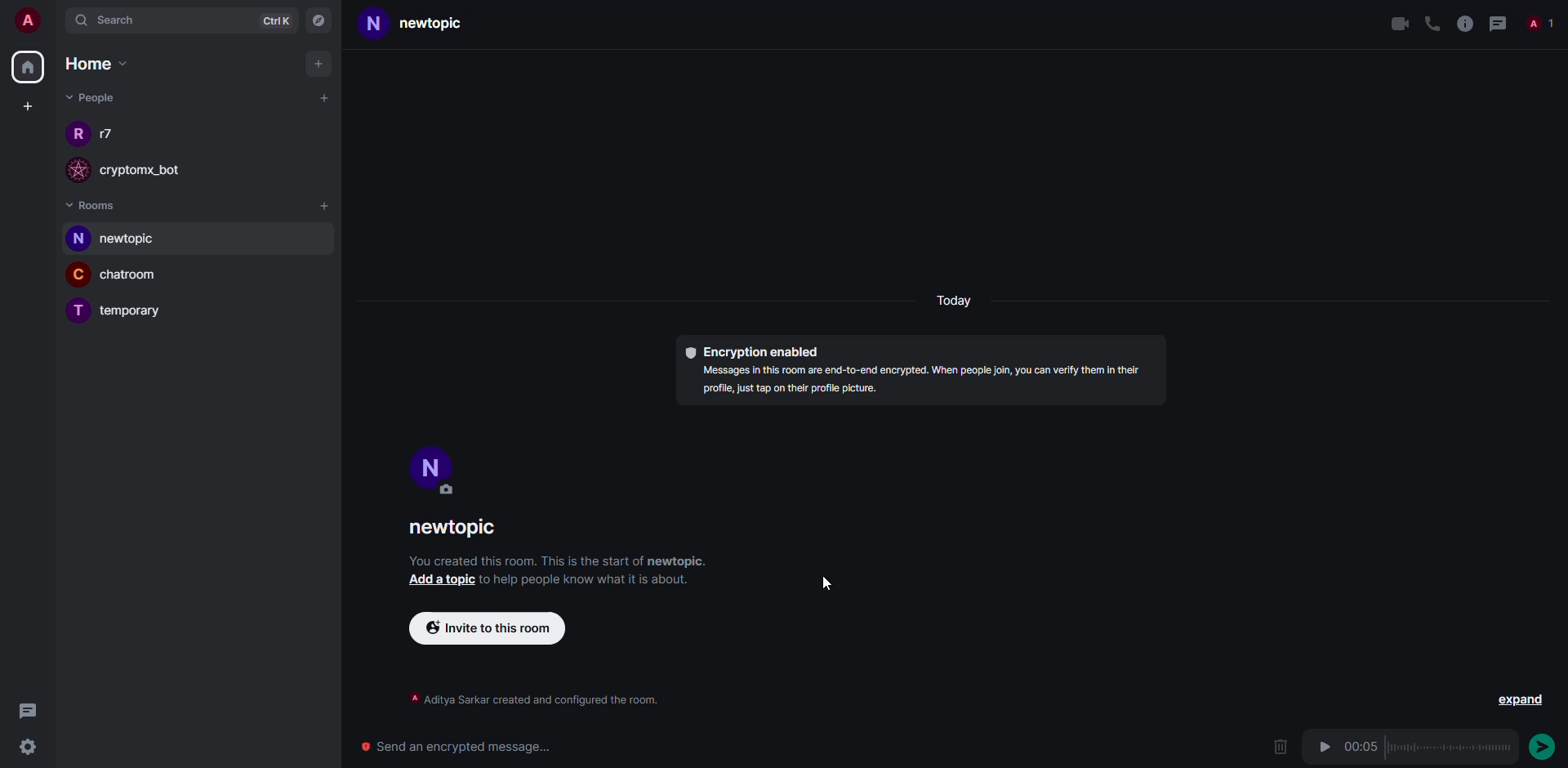 The height and width of the screenshot is (768, 1568). What do you see at coordinates (101, 63) in the screenshot?
I see `home` at bounding box center [101, 63].